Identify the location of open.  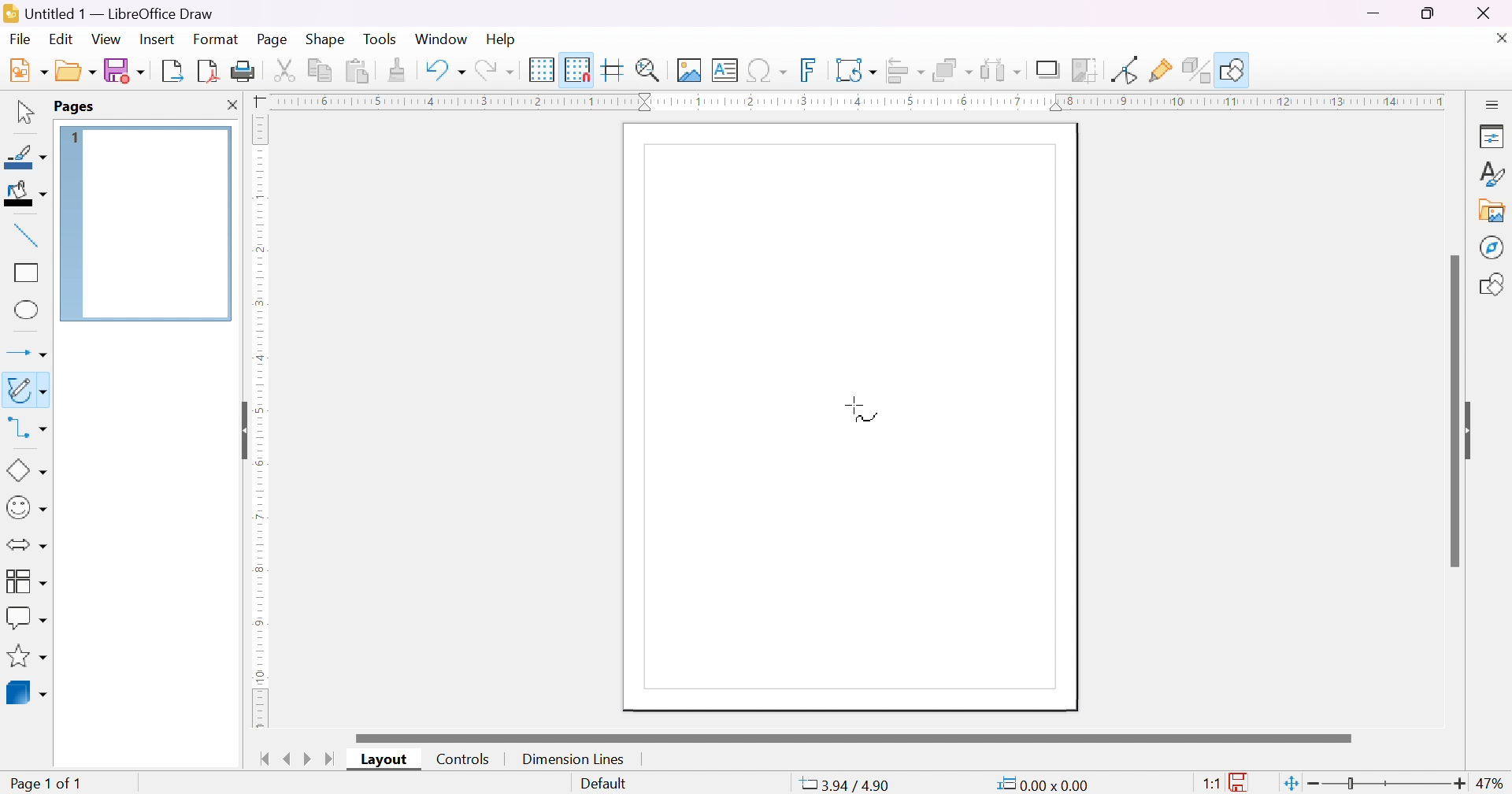
(78, 70).